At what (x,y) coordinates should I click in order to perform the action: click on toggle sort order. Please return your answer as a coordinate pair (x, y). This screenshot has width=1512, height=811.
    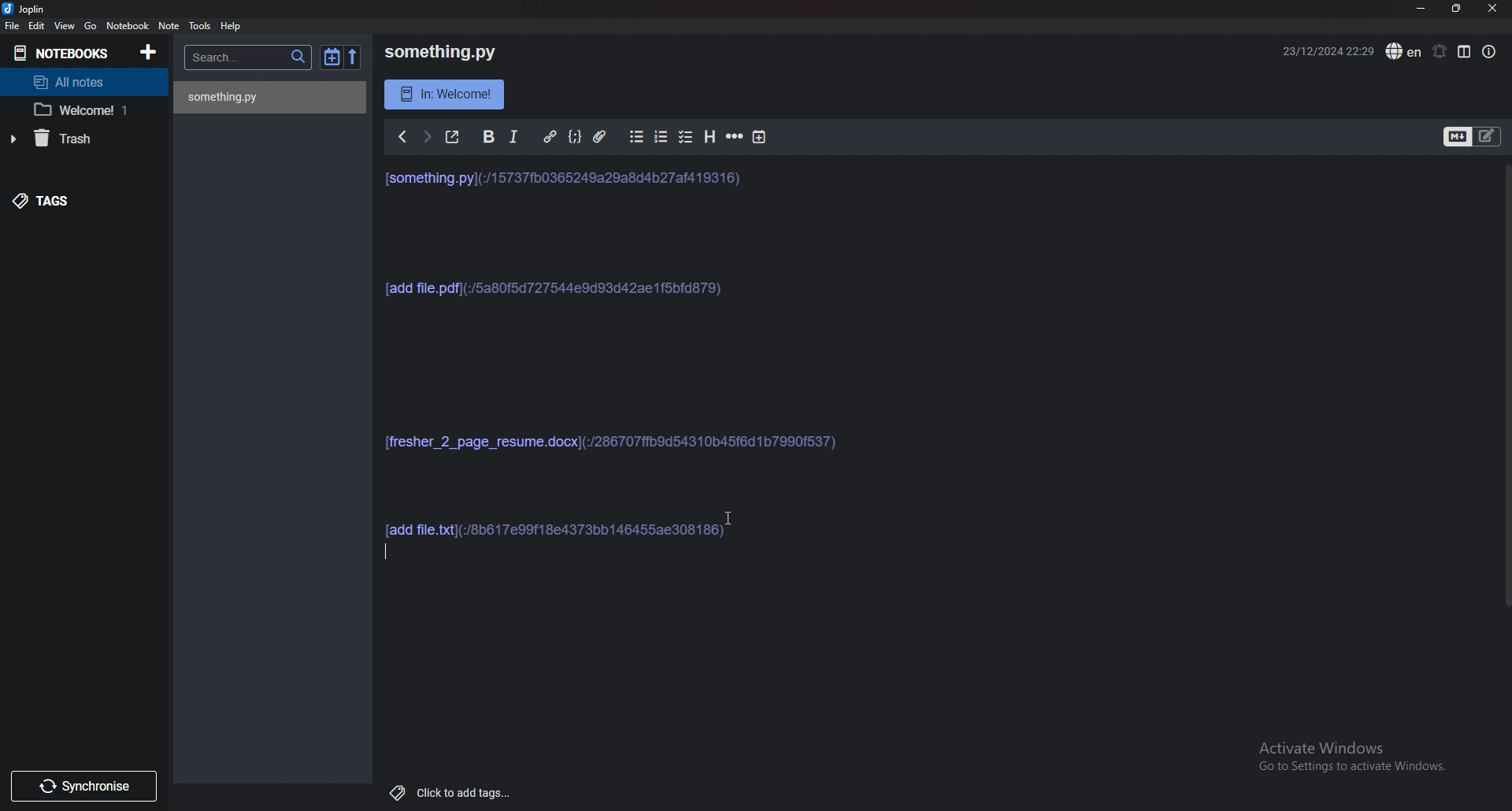
    Looking at the image, I should click on (332, 58).